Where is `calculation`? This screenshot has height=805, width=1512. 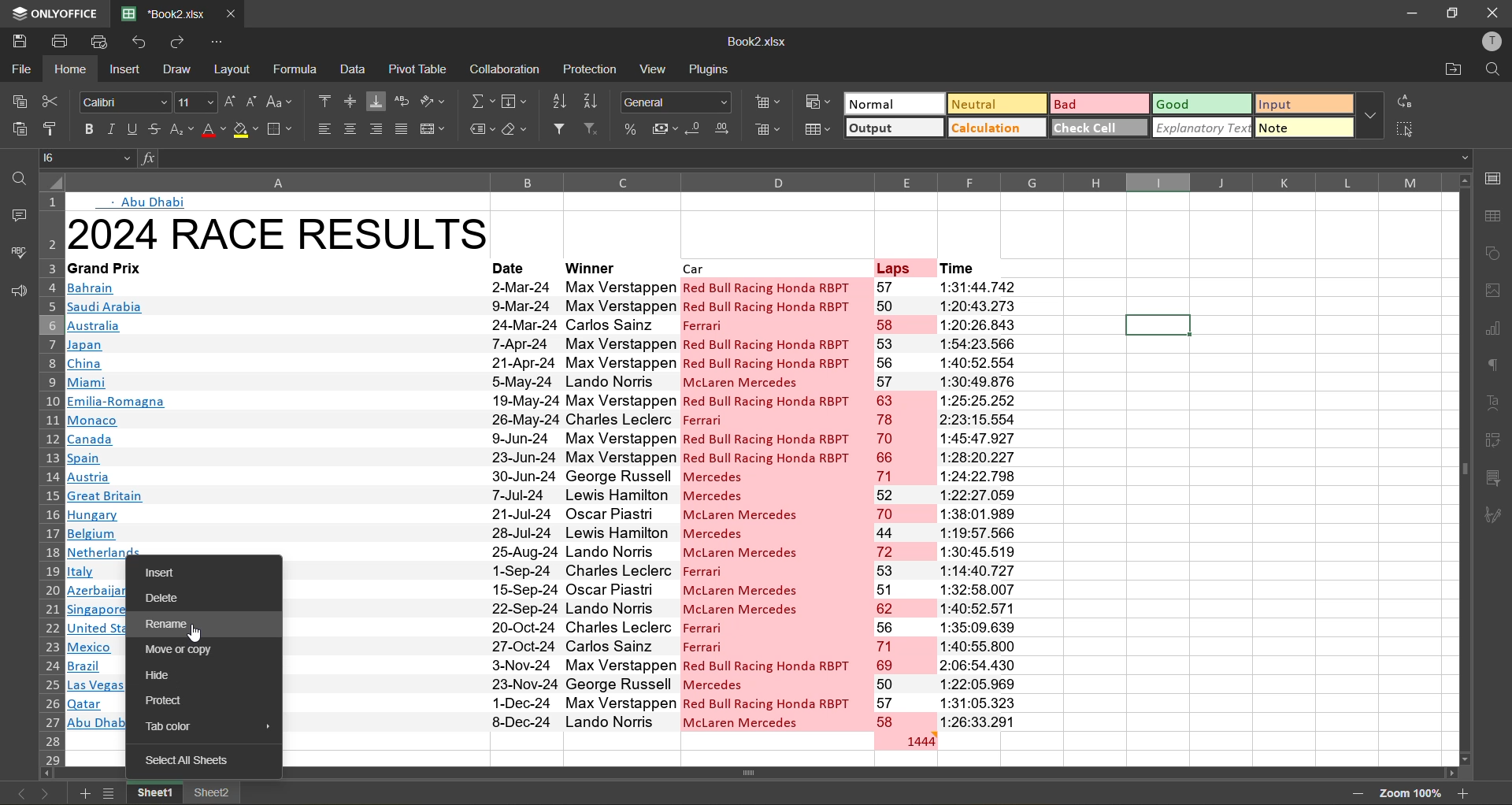
calculation is located at coordinates (996, 128).